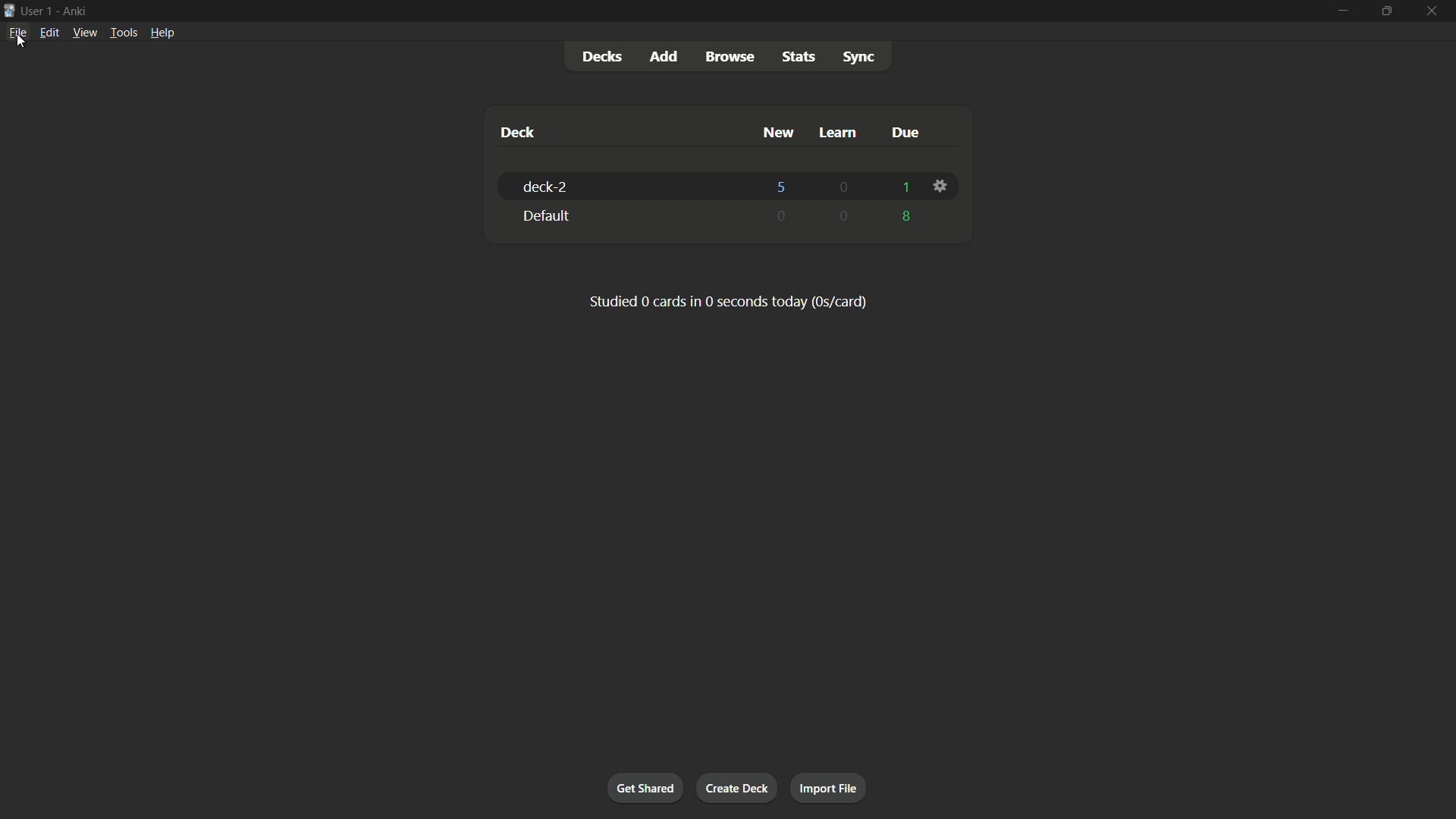  I want to click on Tools, so click(122, 32).